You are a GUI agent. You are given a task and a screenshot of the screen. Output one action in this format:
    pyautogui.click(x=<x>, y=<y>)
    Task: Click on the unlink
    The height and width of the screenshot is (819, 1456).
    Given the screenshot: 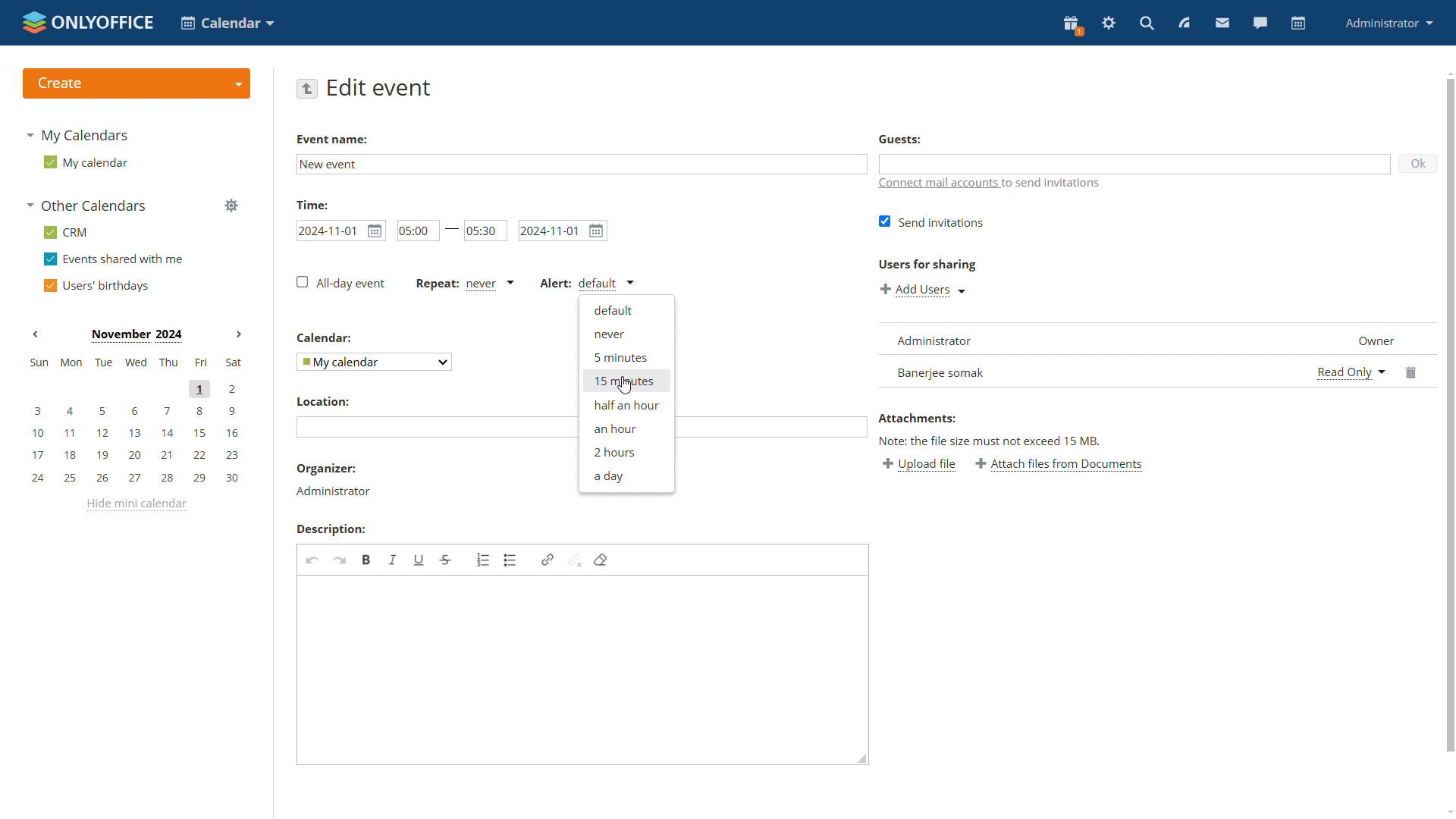 What is the action you would take?
    pyautogui.click(x=575, y=560)
    